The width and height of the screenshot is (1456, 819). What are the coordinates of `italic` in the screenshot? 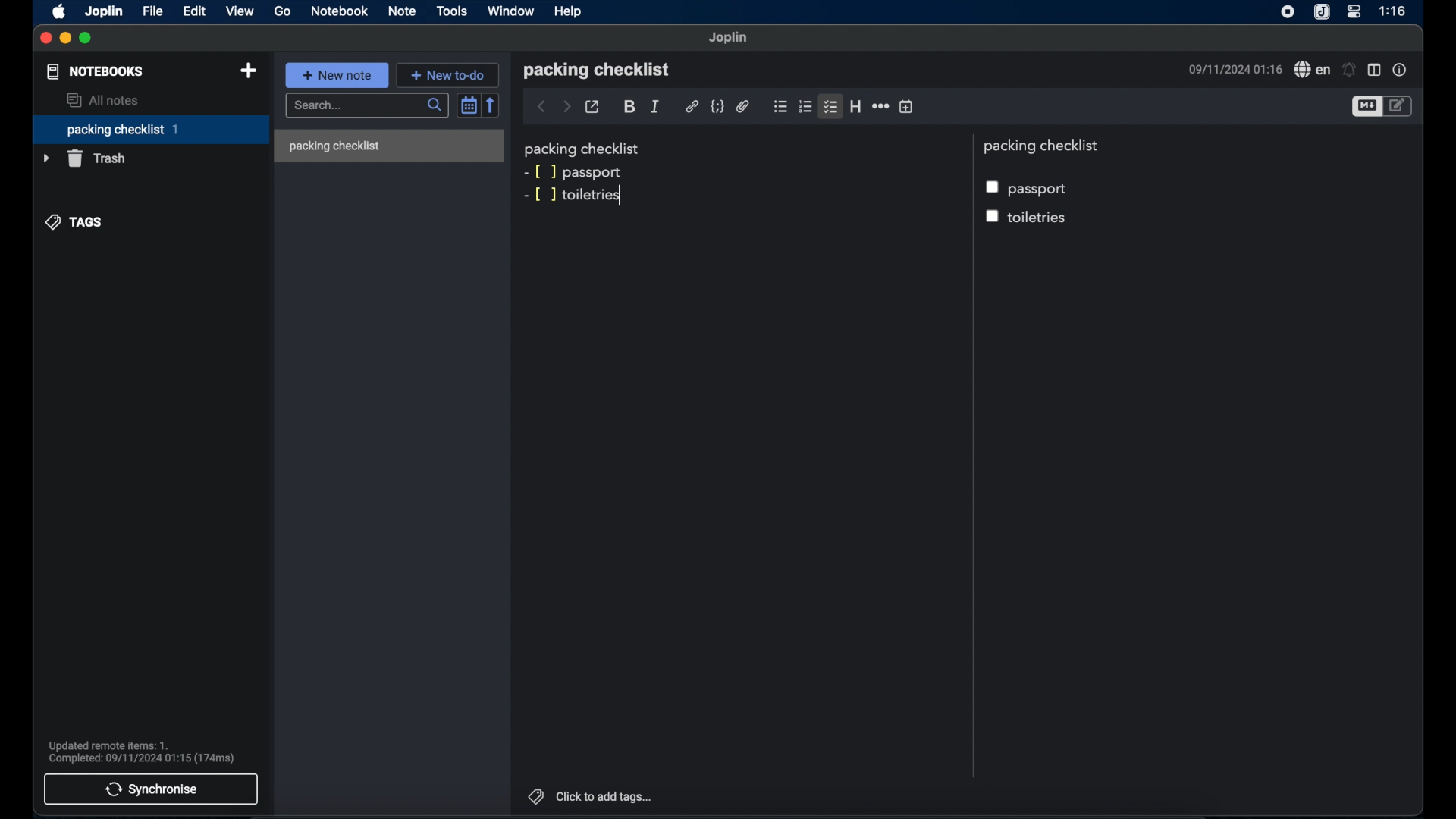 It's located at (654, 105).